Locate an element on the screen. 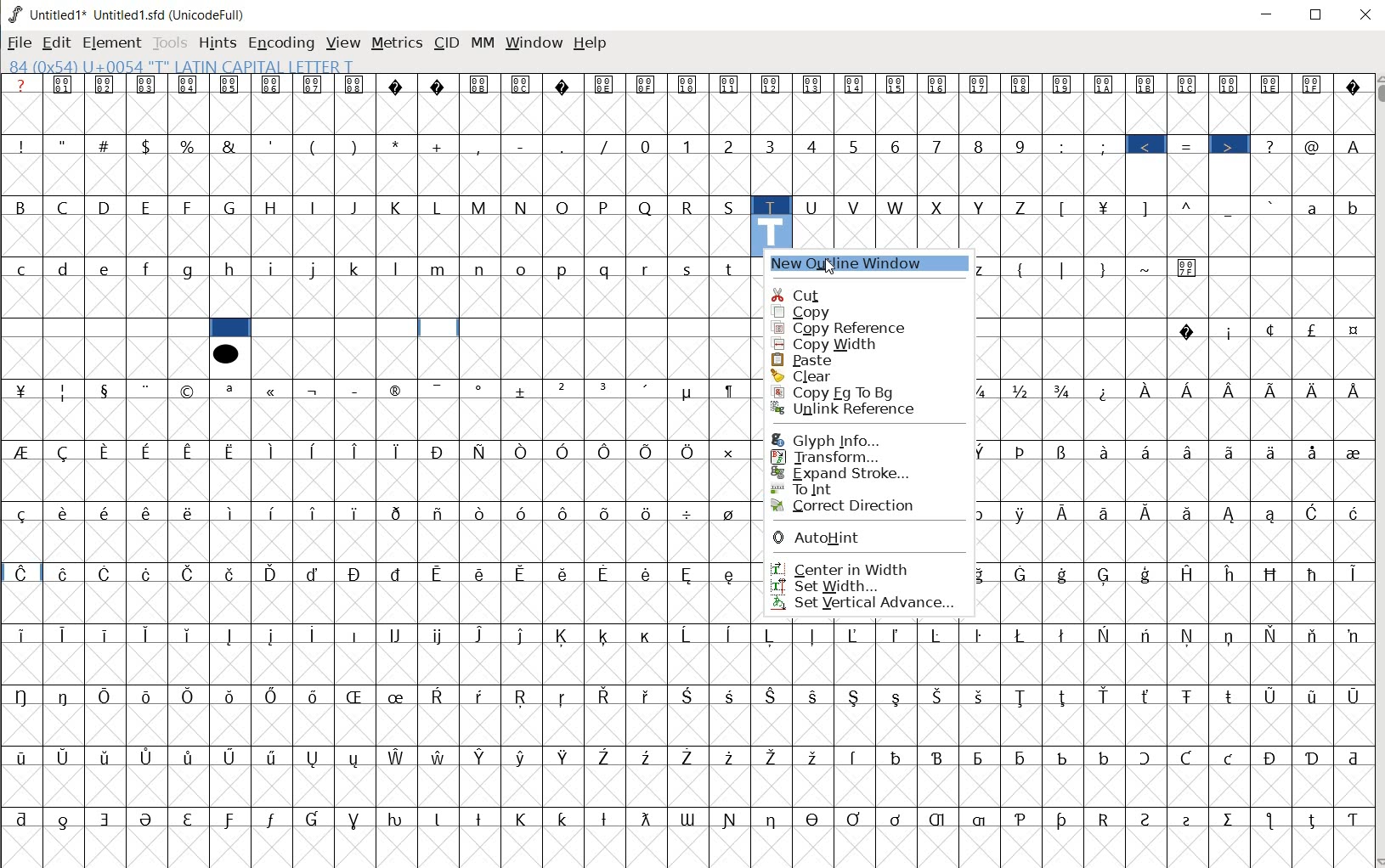 The height and width of the screenshot is (868, 1385). Symbol is located at coordinates (1189, 268).